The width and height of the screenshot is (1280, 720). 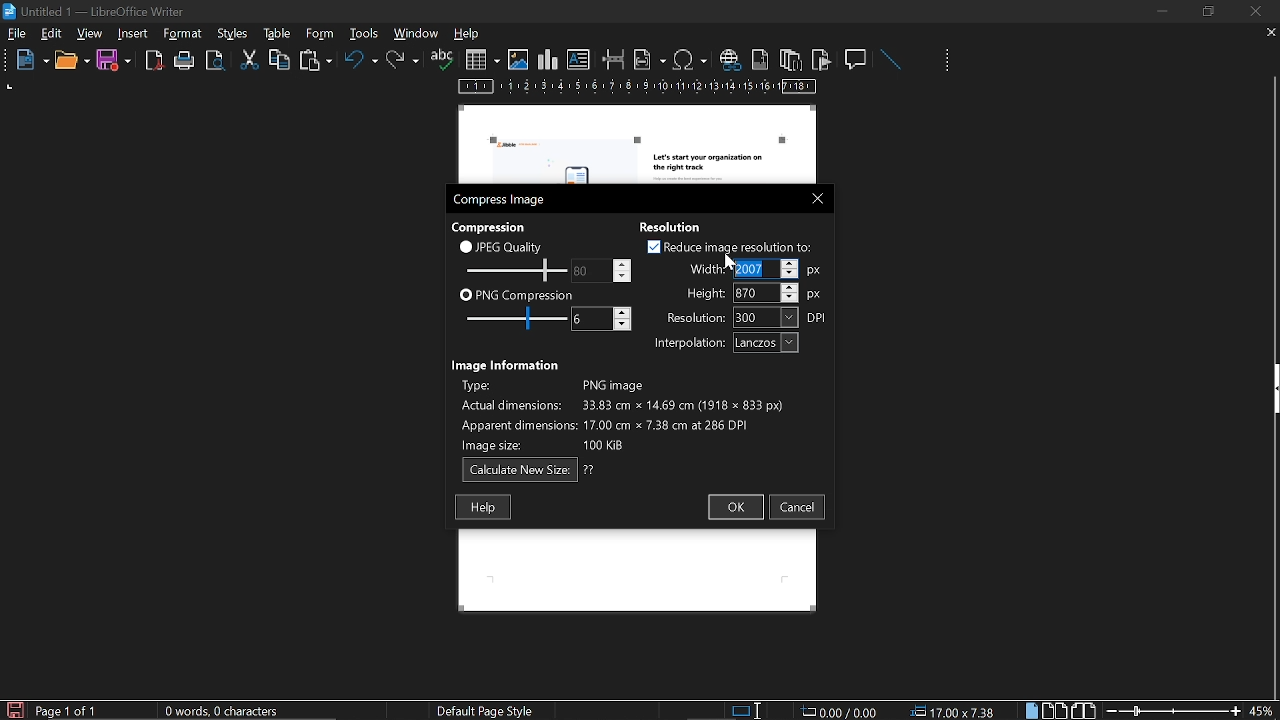 What do you see at coordinates (314, 62) in the screenshot?
I see `paste` at bounding box center [314, 62].